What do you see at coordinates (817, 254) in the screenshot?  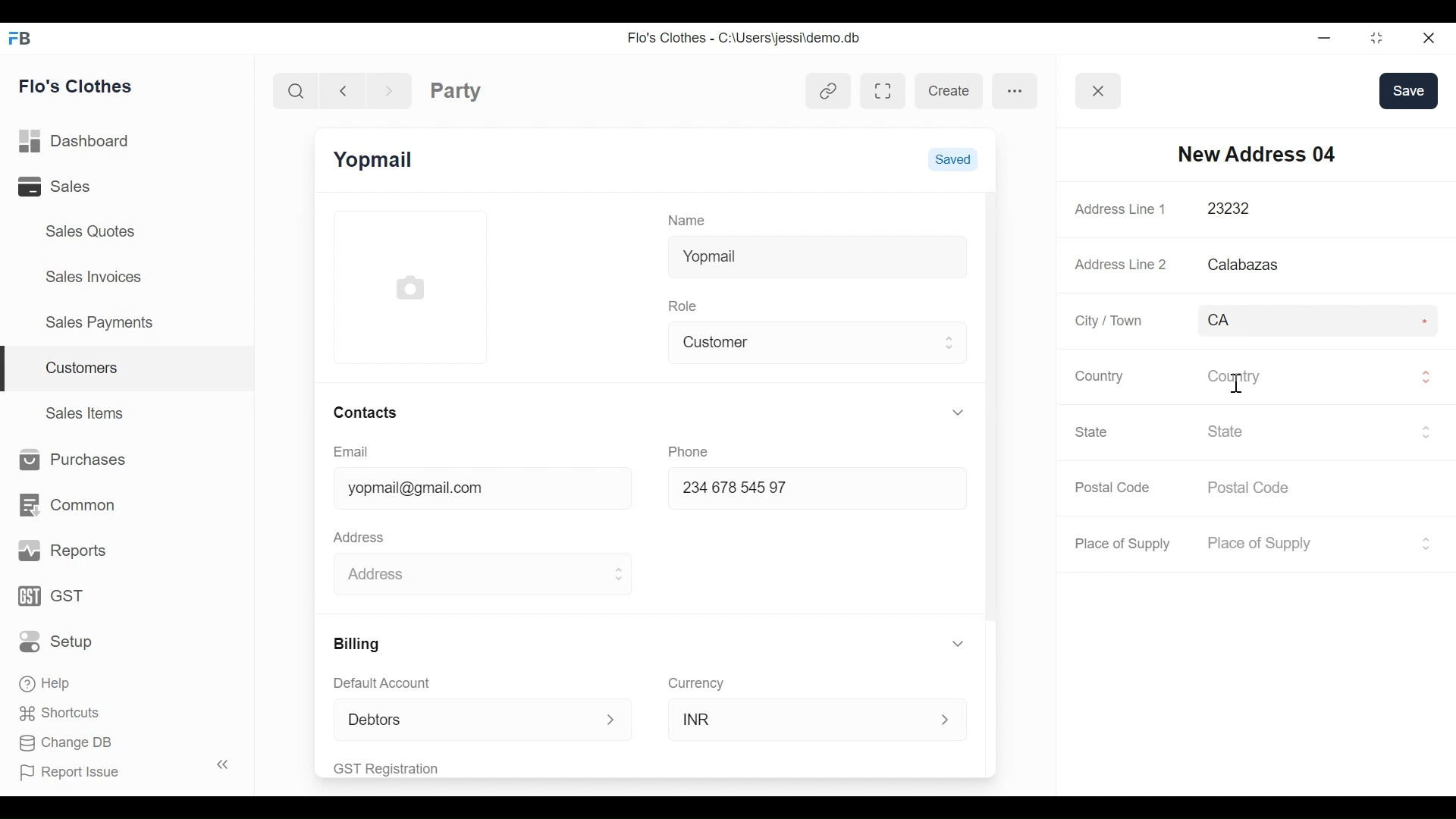 I see `Yopmail` at bounding box center [817, 254].